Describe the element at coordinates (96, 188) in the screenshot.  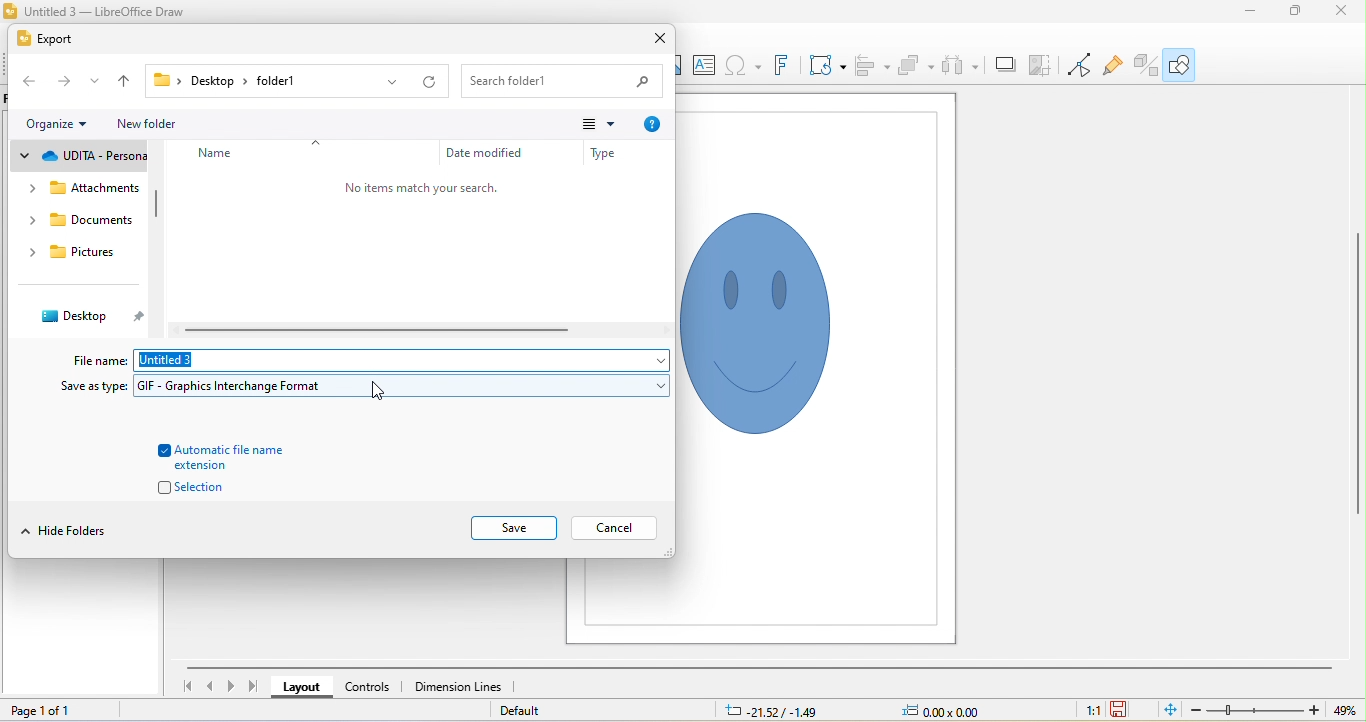
I see `attachments` at that location.